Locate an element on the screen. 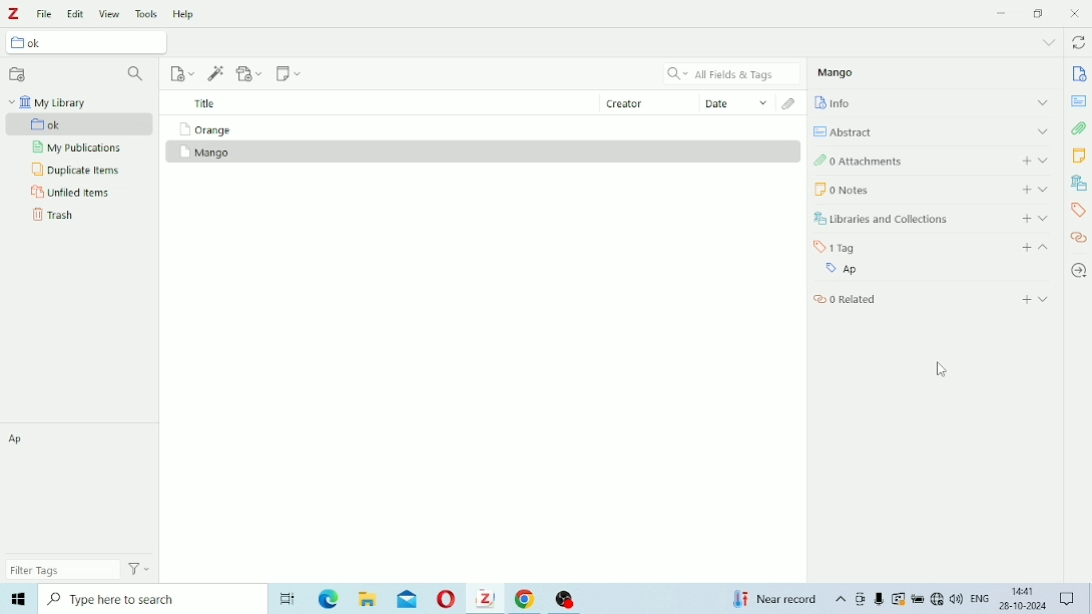  New Collection is located at coordinates (17, 75).